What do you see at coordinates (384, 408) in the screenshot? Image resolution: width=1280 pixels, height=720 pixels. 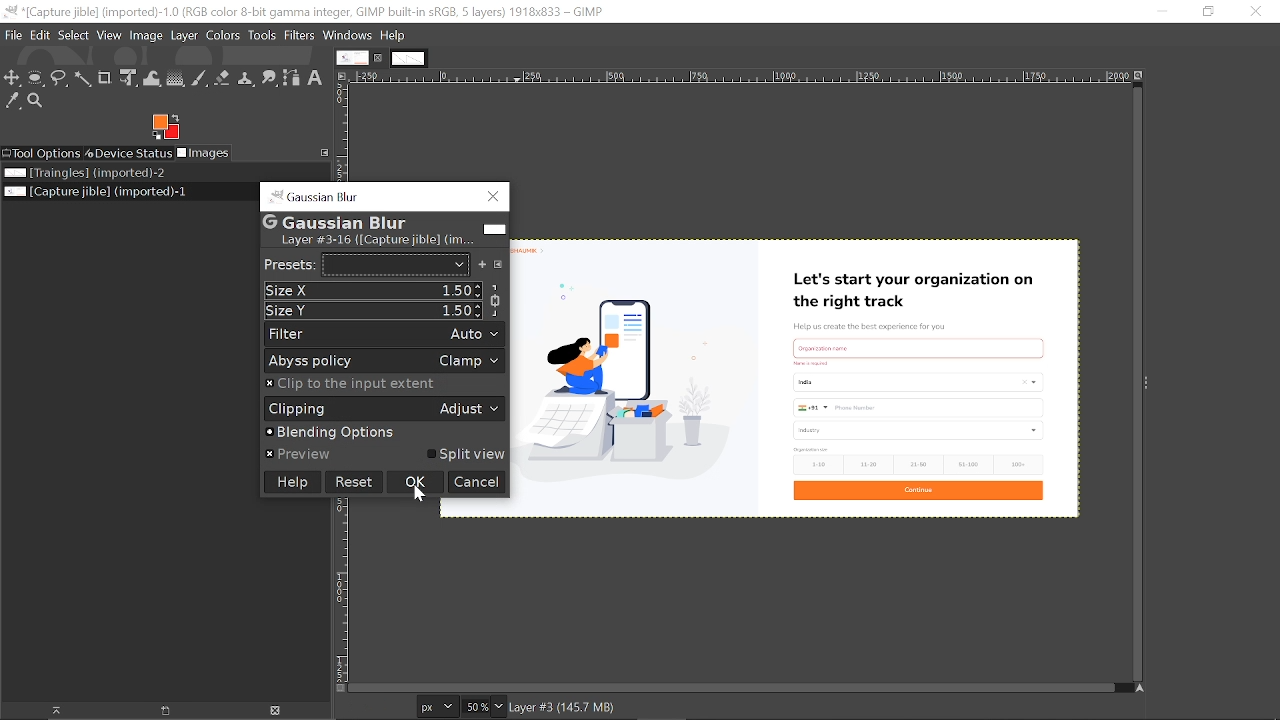 I see `Clipping` at bounding box center [384, 408].